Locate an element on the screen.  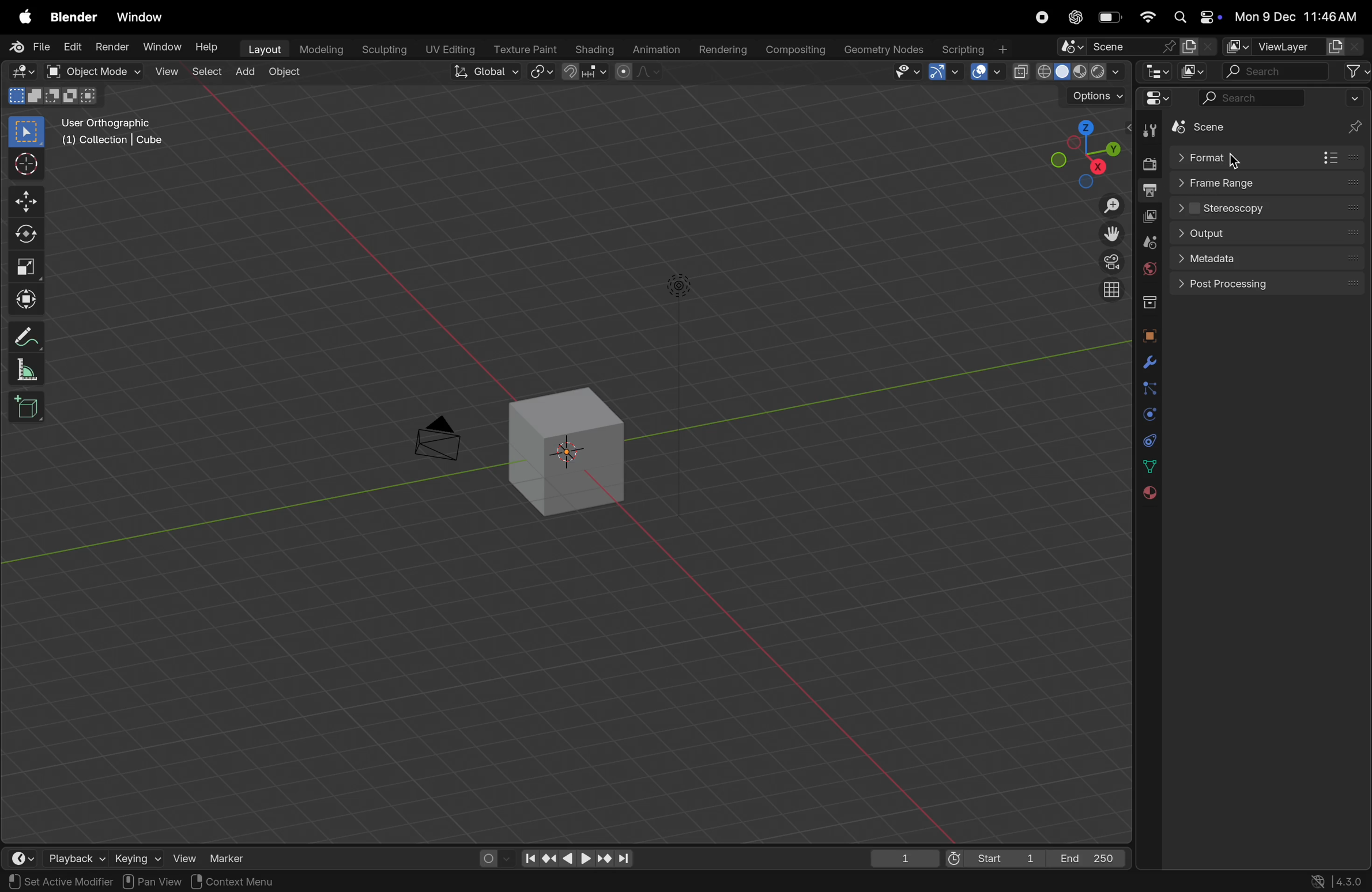
options is located at coordinates (1090, 95).